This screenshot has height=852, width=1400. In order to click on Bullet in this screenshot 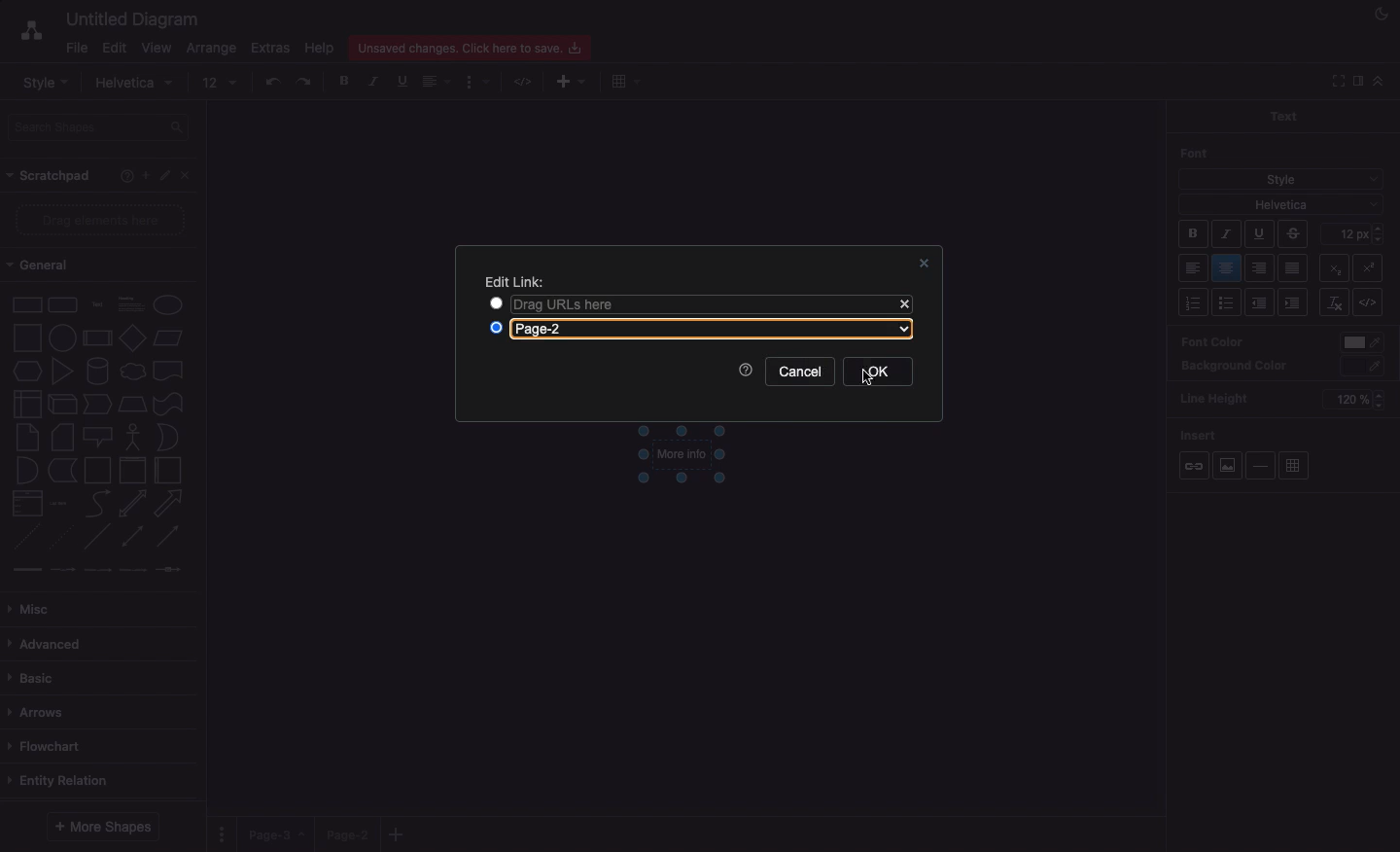, I will do `click(1227, 303)`.